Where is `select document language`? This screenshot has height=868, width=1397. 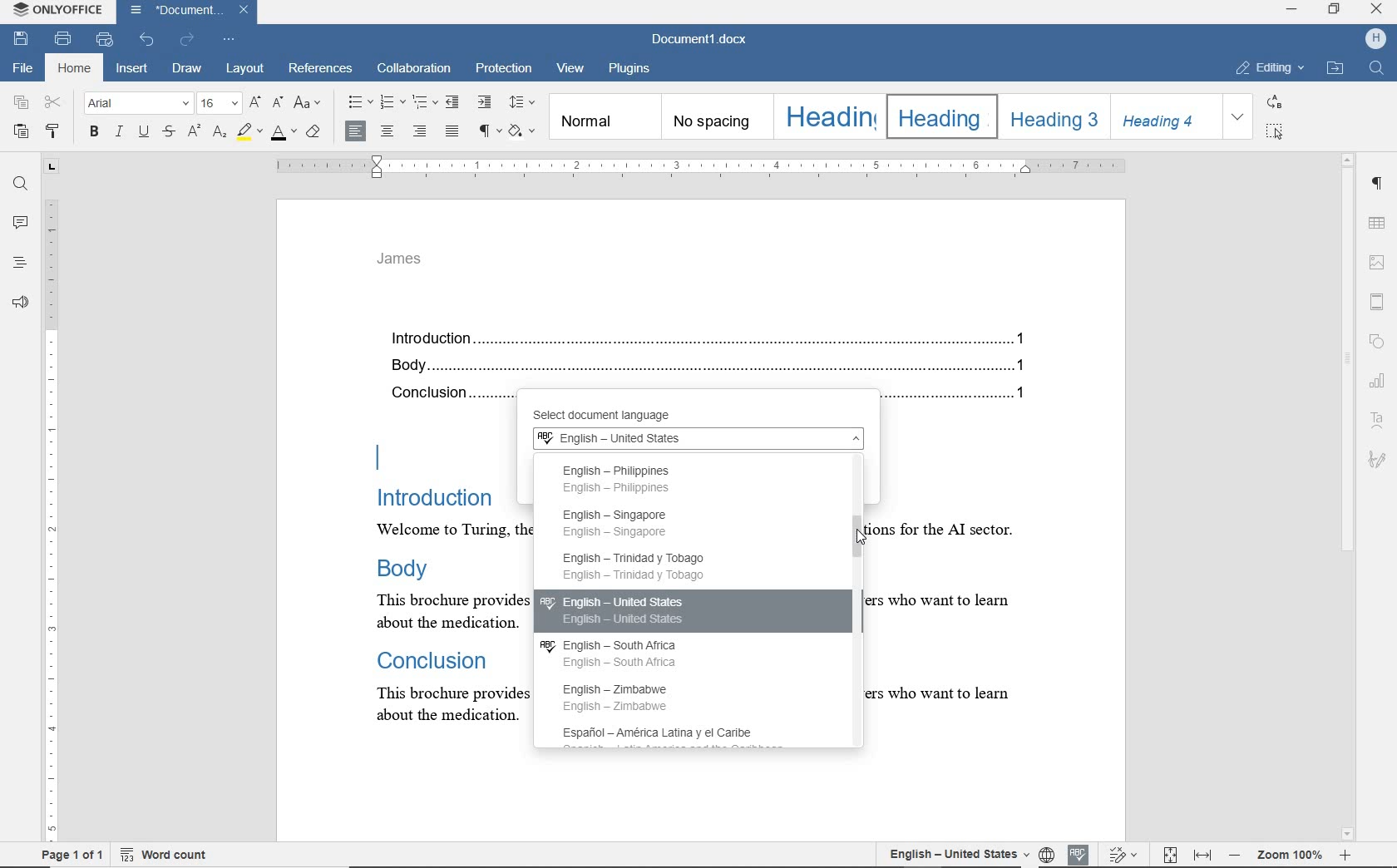
select document language is located at coordinates (625, 416).